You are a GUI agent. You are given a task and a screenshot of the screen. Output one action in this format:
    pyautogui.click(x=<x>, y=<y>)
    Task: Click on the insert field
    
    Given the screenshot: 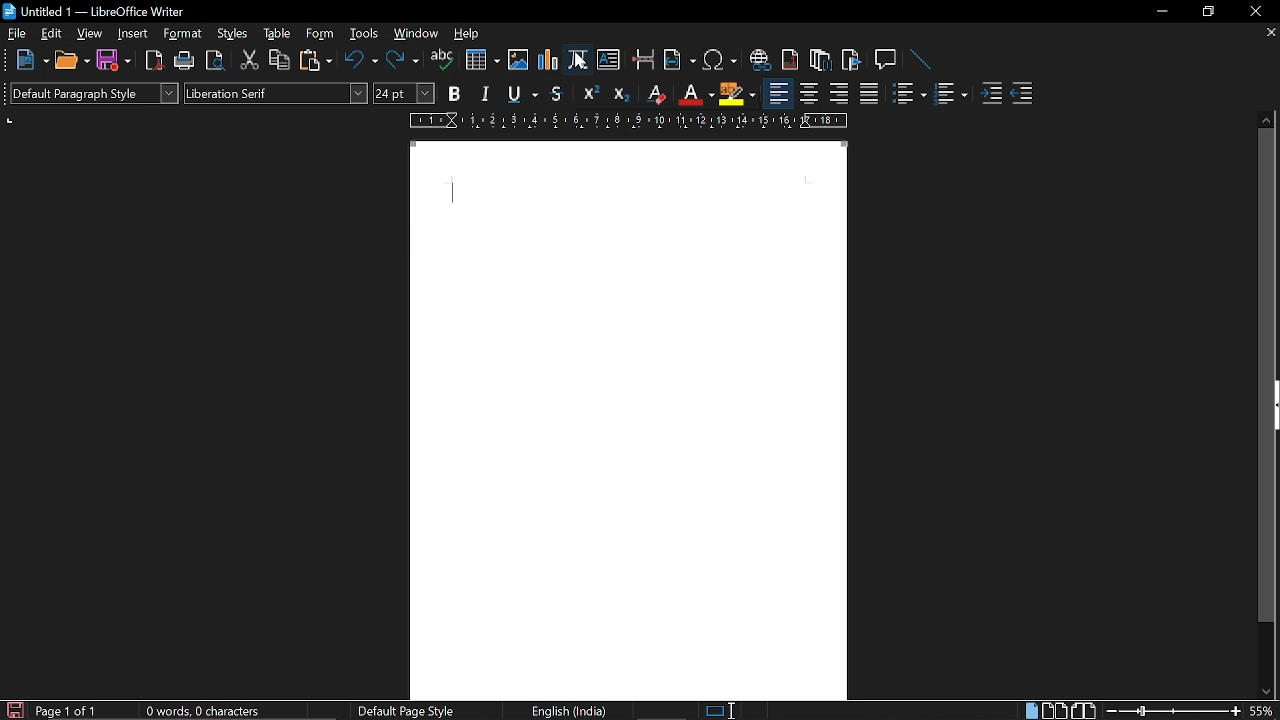 What is the action you would take?
    pyautogui.click(x=680, y=60)
    